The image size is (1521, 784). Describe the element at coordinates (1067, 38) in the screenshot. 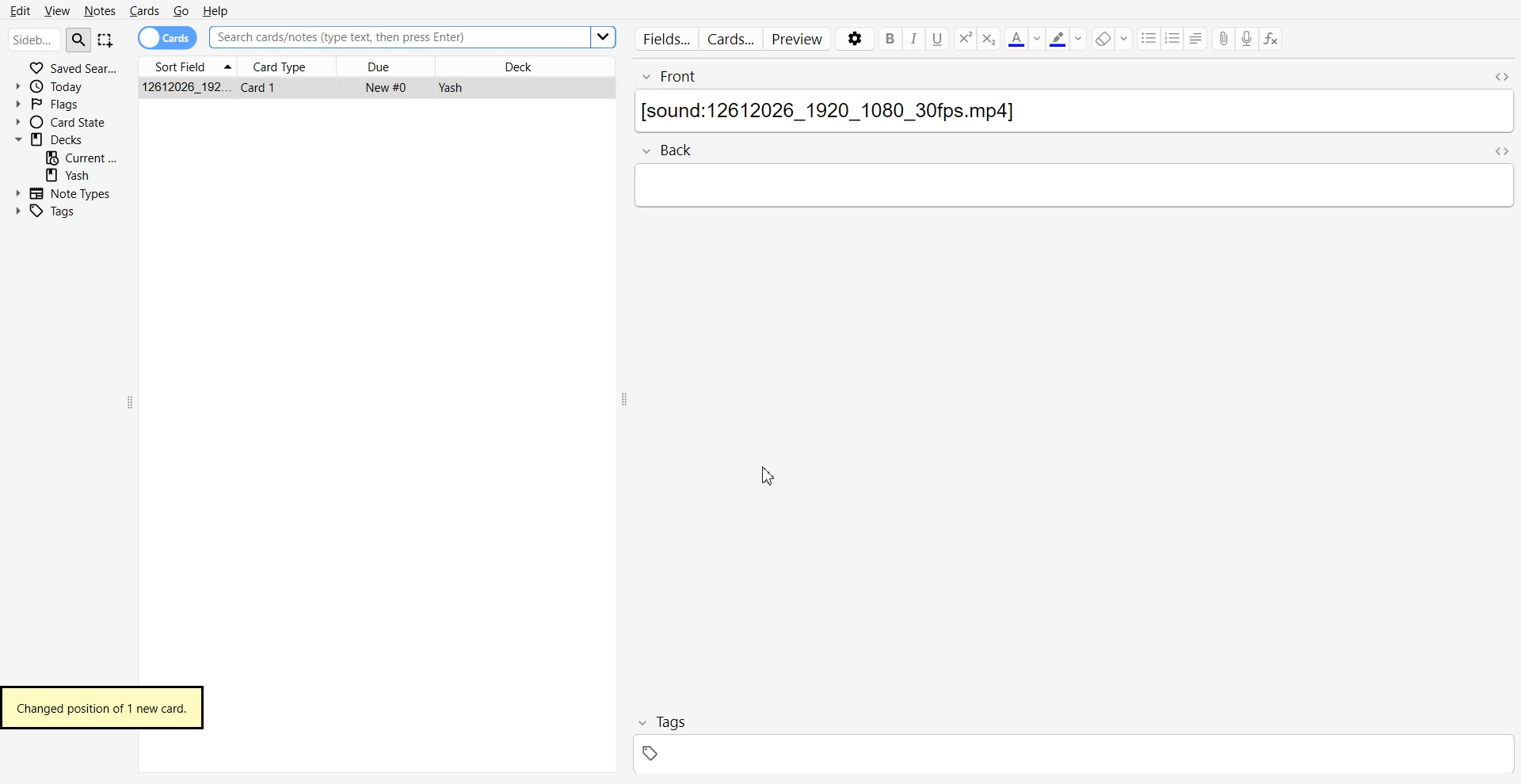

I see `Highlight text color` at that location.